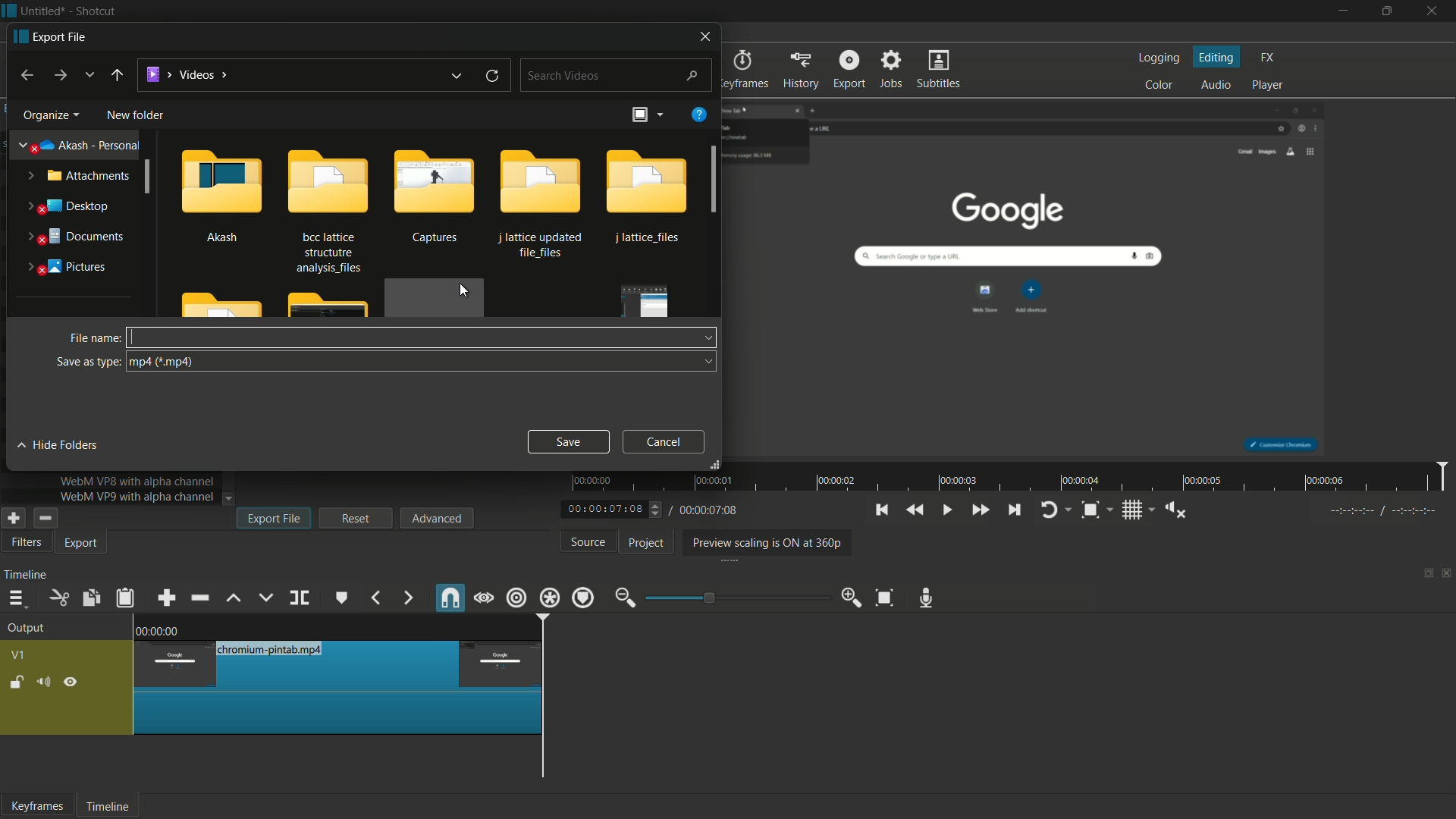  What do you see at coordinates (58, 599) in the screenshot?
I see `cut` at bounding box center [58, 599].